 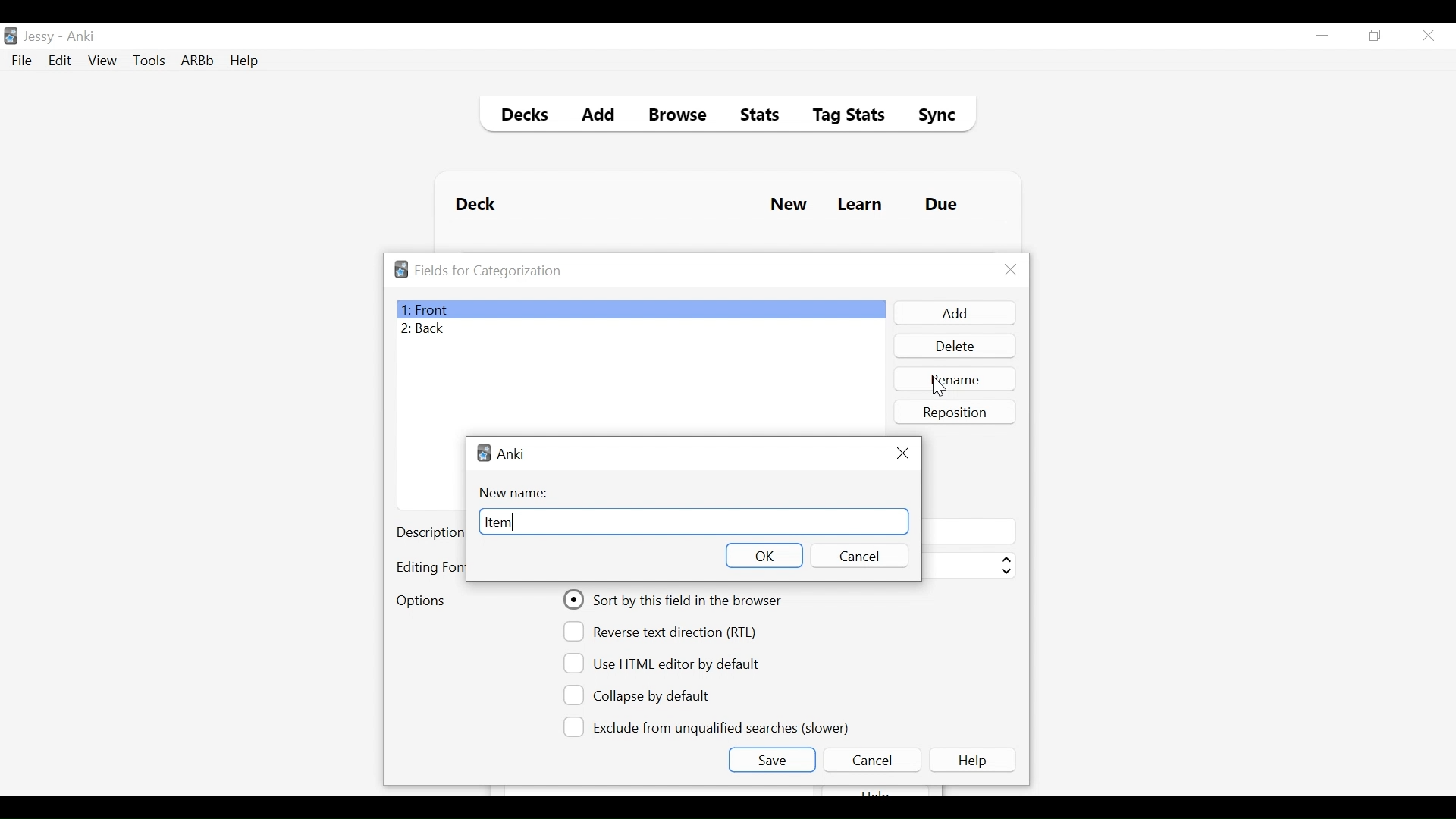 What do you see at coordinates (755, 115) in the screenshot?
I see `Stats` at bounding box center [755, 115].